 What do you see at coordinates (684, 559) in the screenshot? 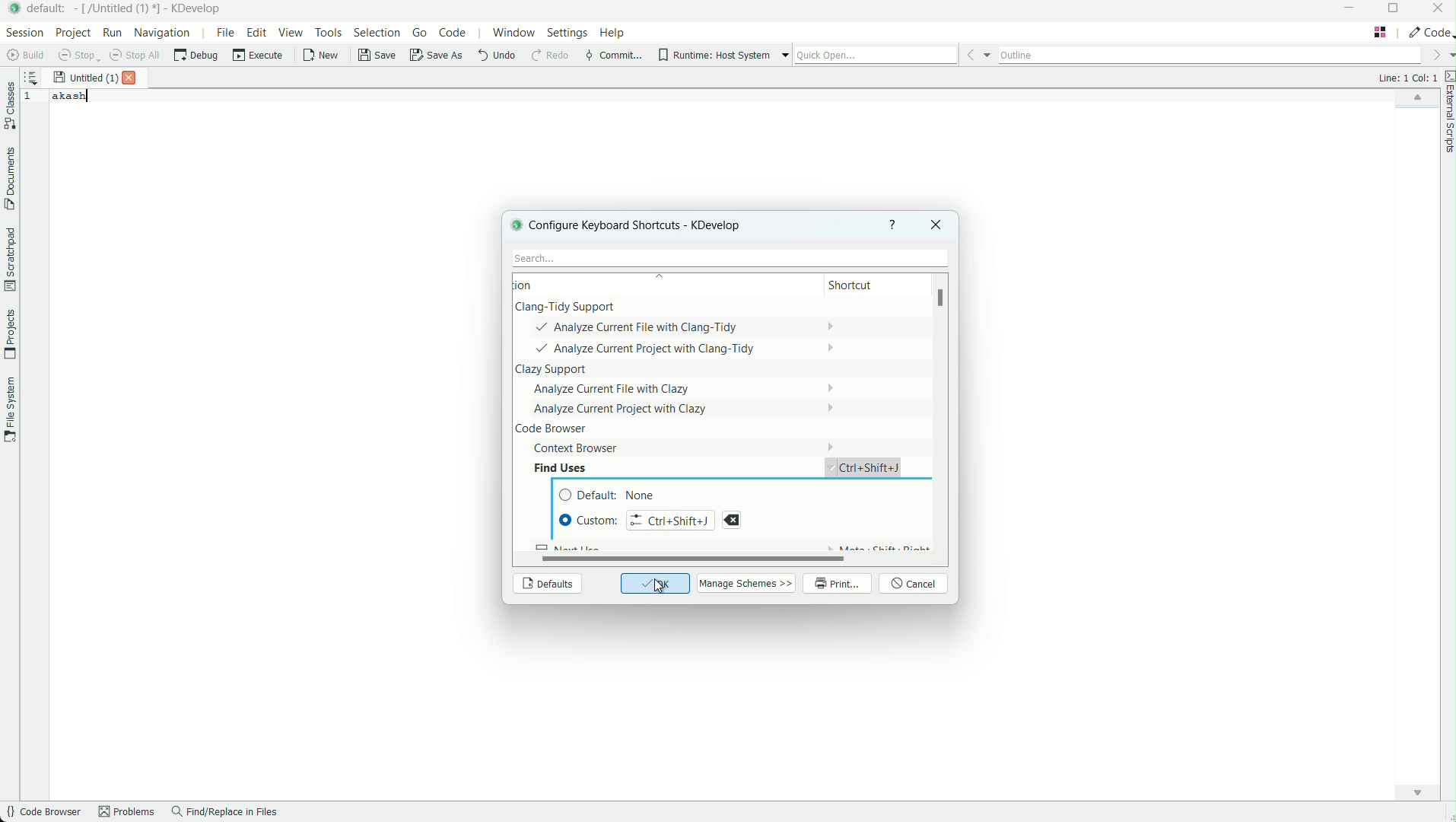
I see `scroll bar` at bounding box center [684, 559].